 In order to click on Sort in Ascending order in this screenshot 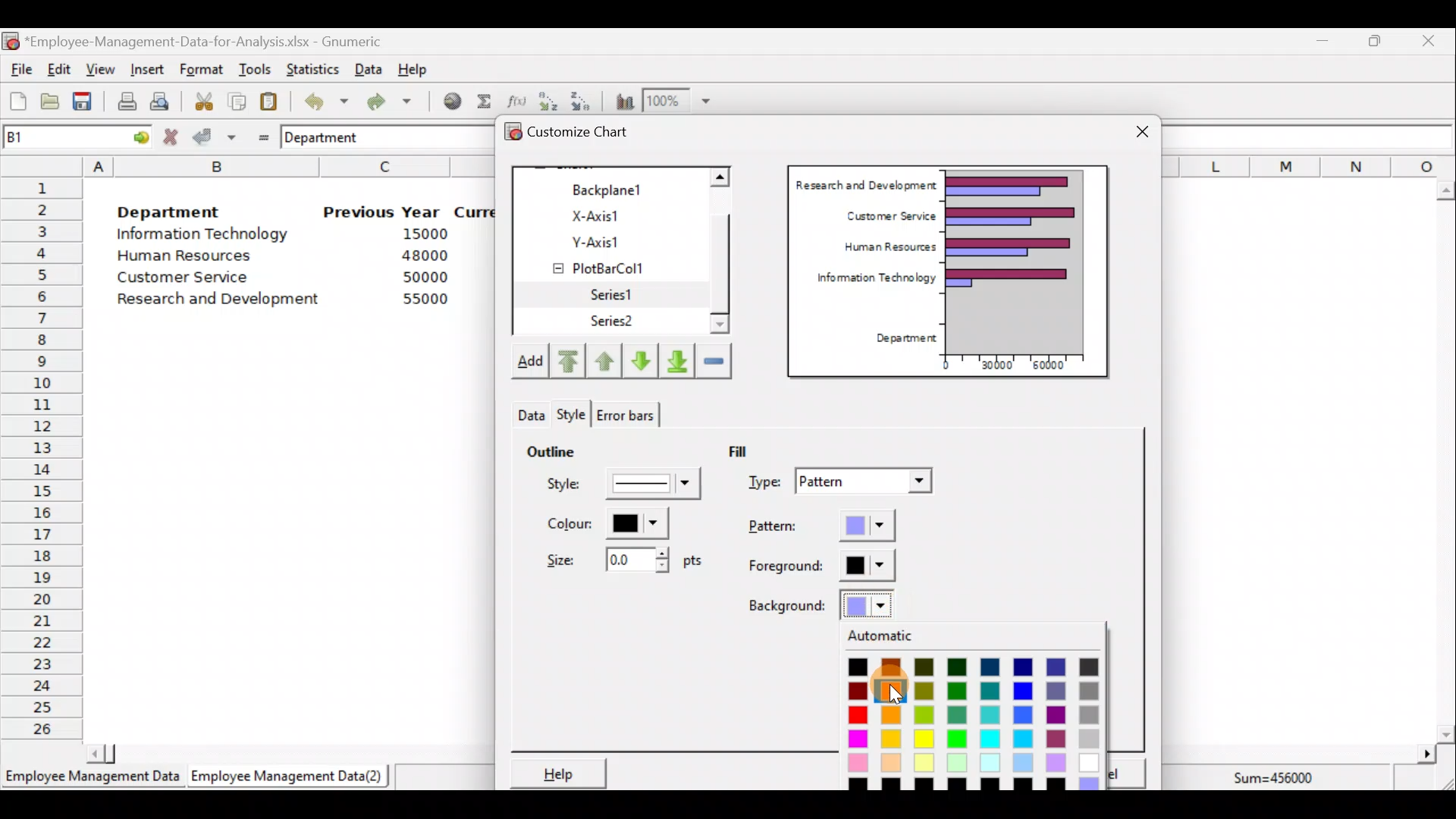, I will do `click(548, 101)`.